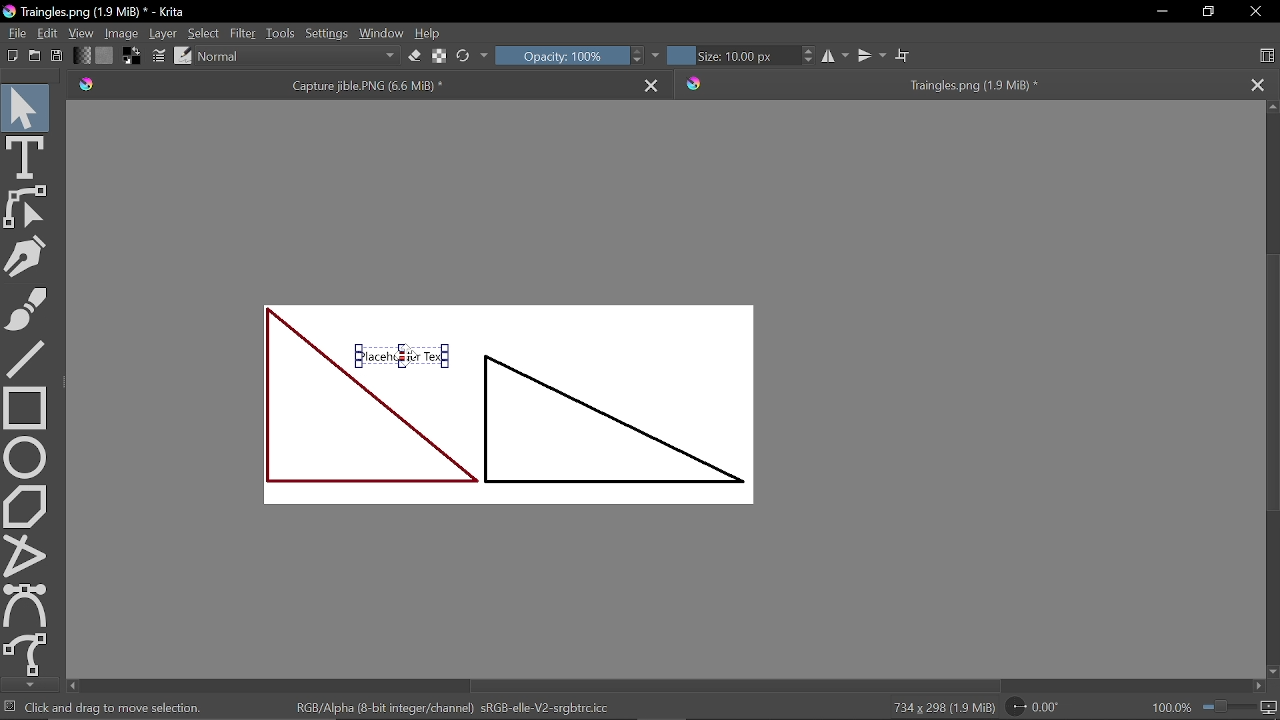 Image resolution: width=1280 pixels, height=720 pixels. What do you see at coordinates (27, 605) in the screenshot?
I see `Bezier select tool` at bounding box center [27, 605].